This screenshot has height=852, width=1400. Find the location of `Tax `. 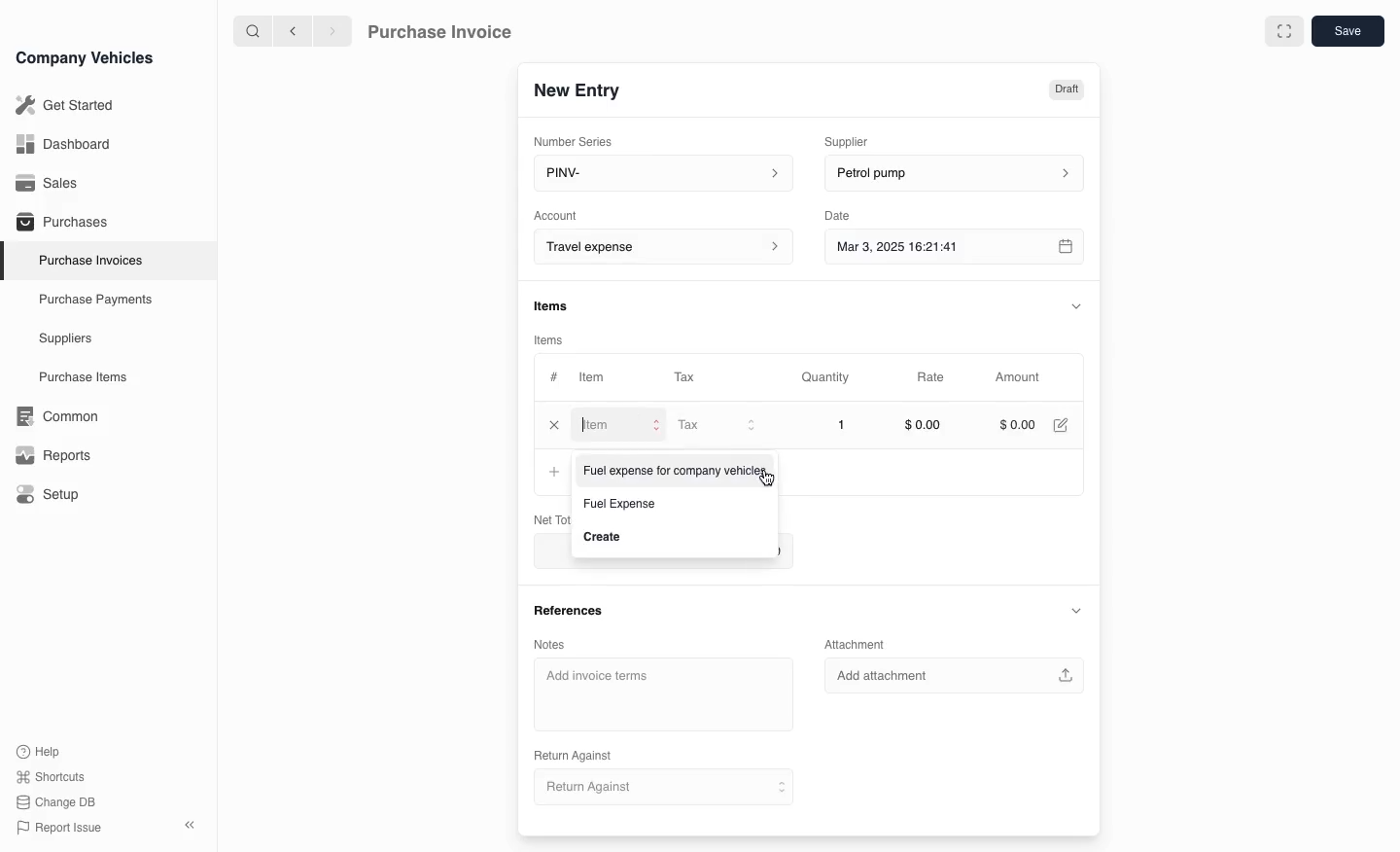

Tax  is located at coordinates (716, 427).